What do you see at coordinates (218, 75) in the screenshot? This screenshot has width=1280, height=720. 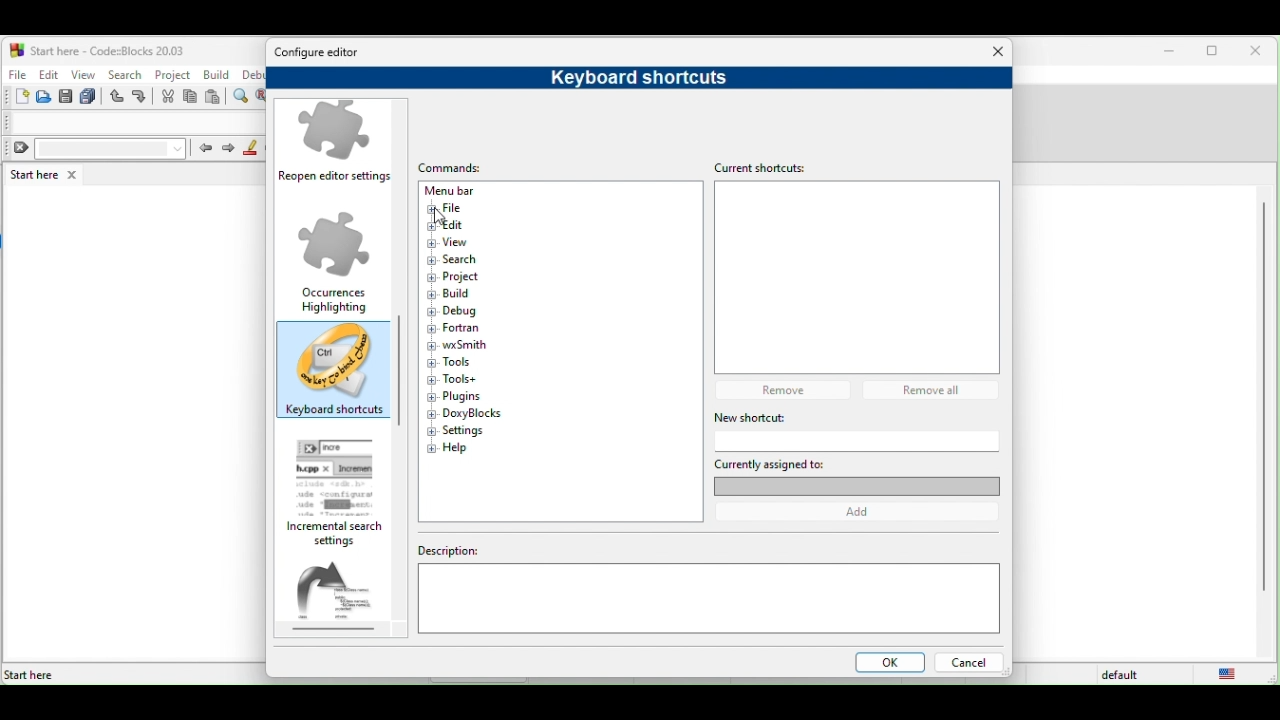 I see `build` at bounding box center [218, 75].